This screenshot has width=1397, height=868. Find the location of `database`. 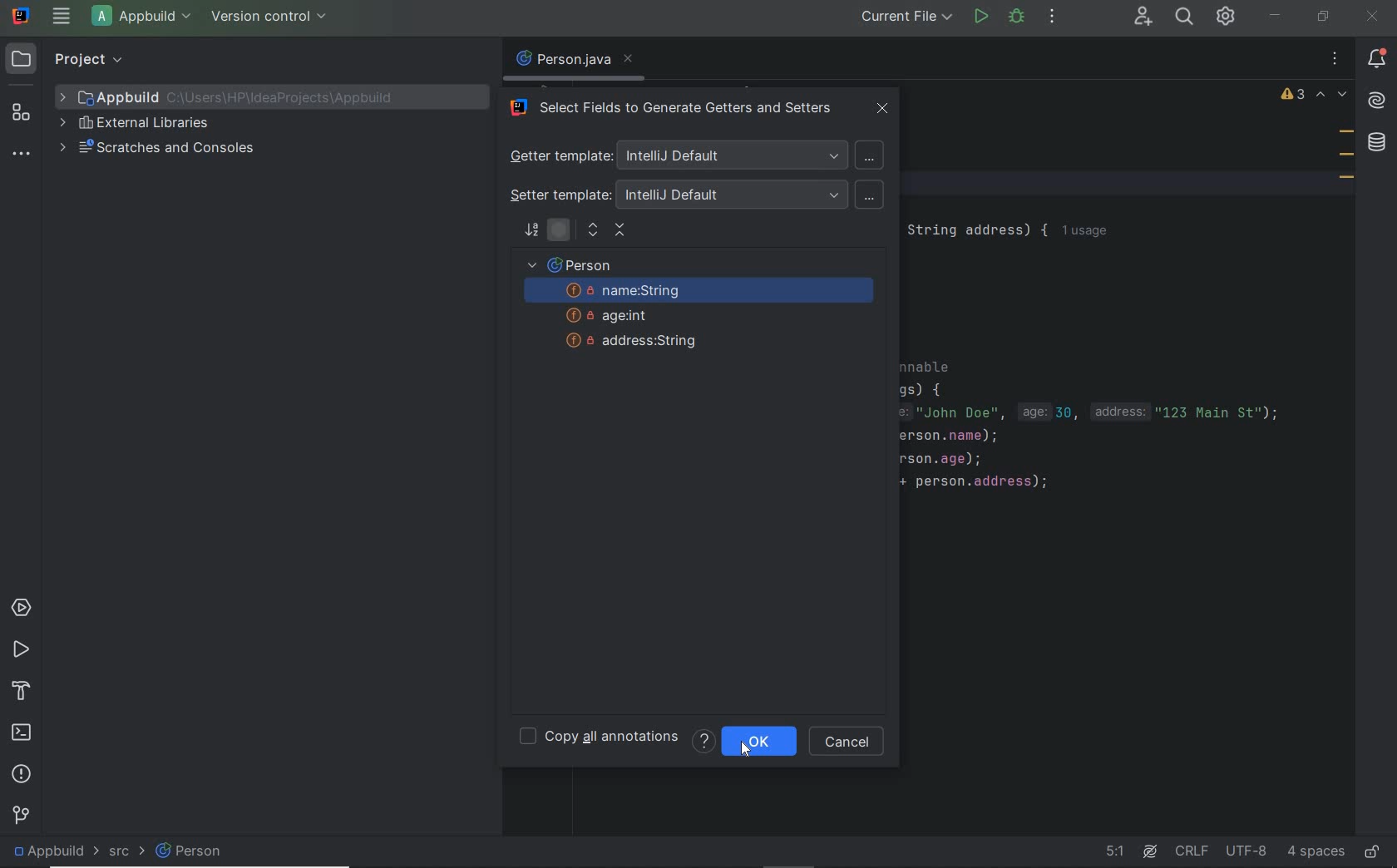

database is located at coordinates (1380, 144).